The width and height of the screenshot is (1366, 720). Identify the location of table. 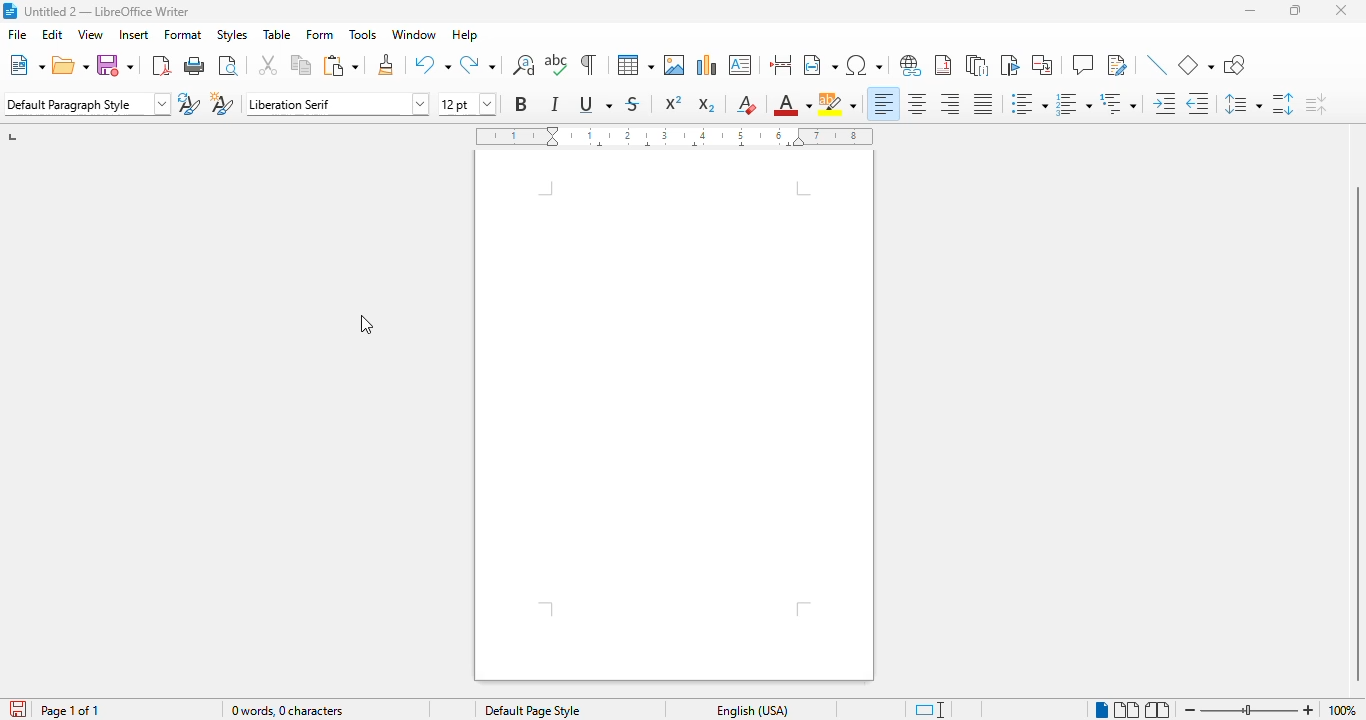
(634, 65).